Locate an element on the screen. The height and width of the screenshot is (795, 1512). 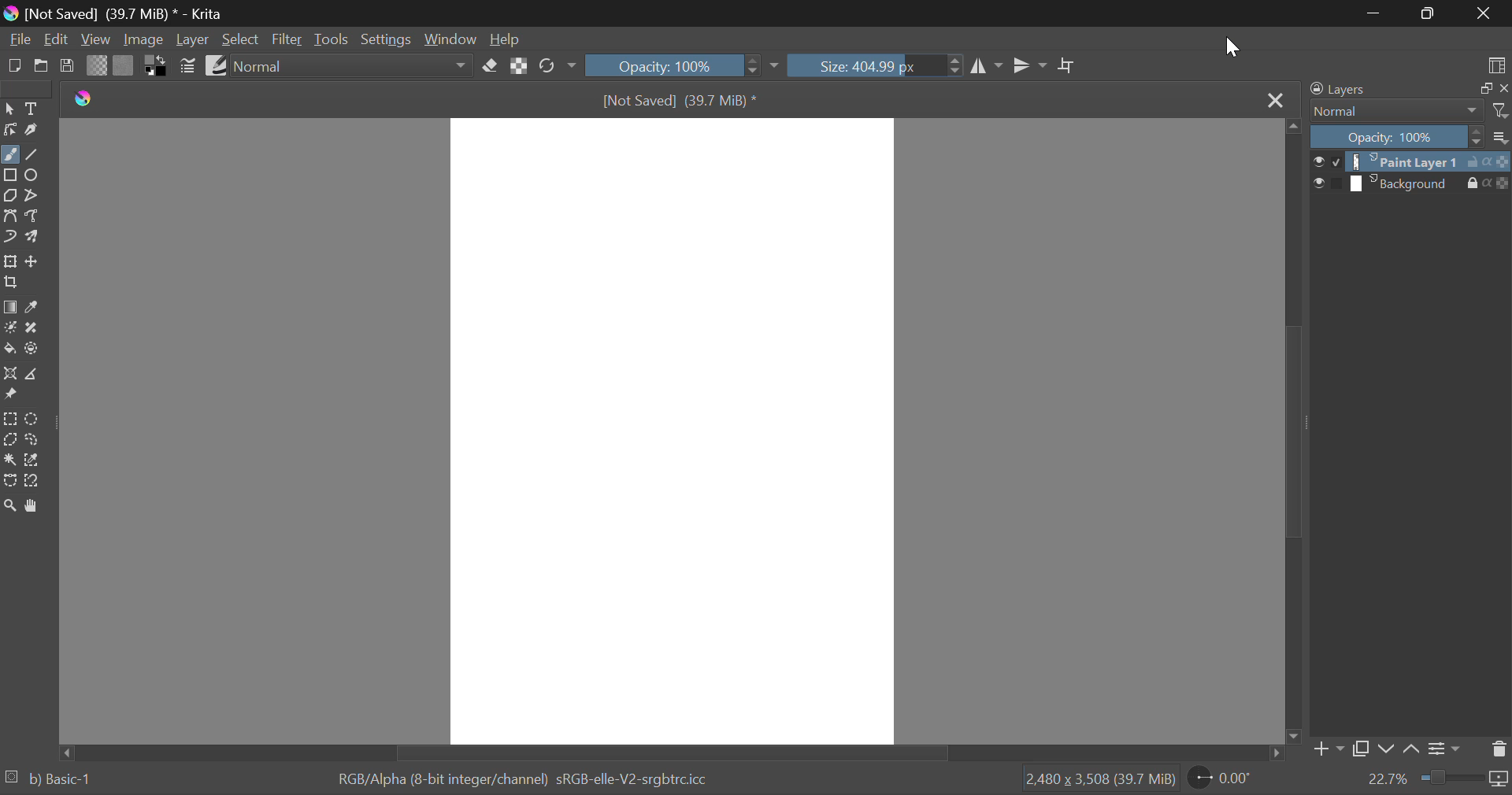
Close is located at coordinates (1276, 99).